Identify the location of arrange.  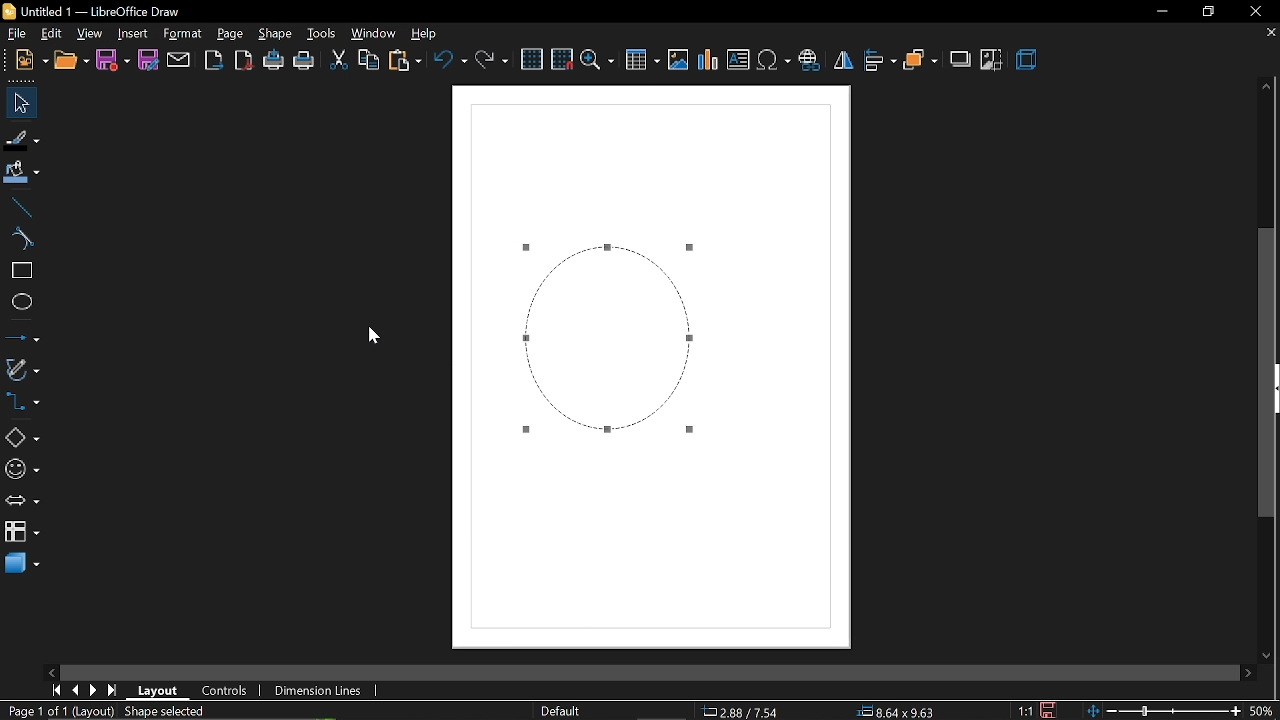
(921, 59).